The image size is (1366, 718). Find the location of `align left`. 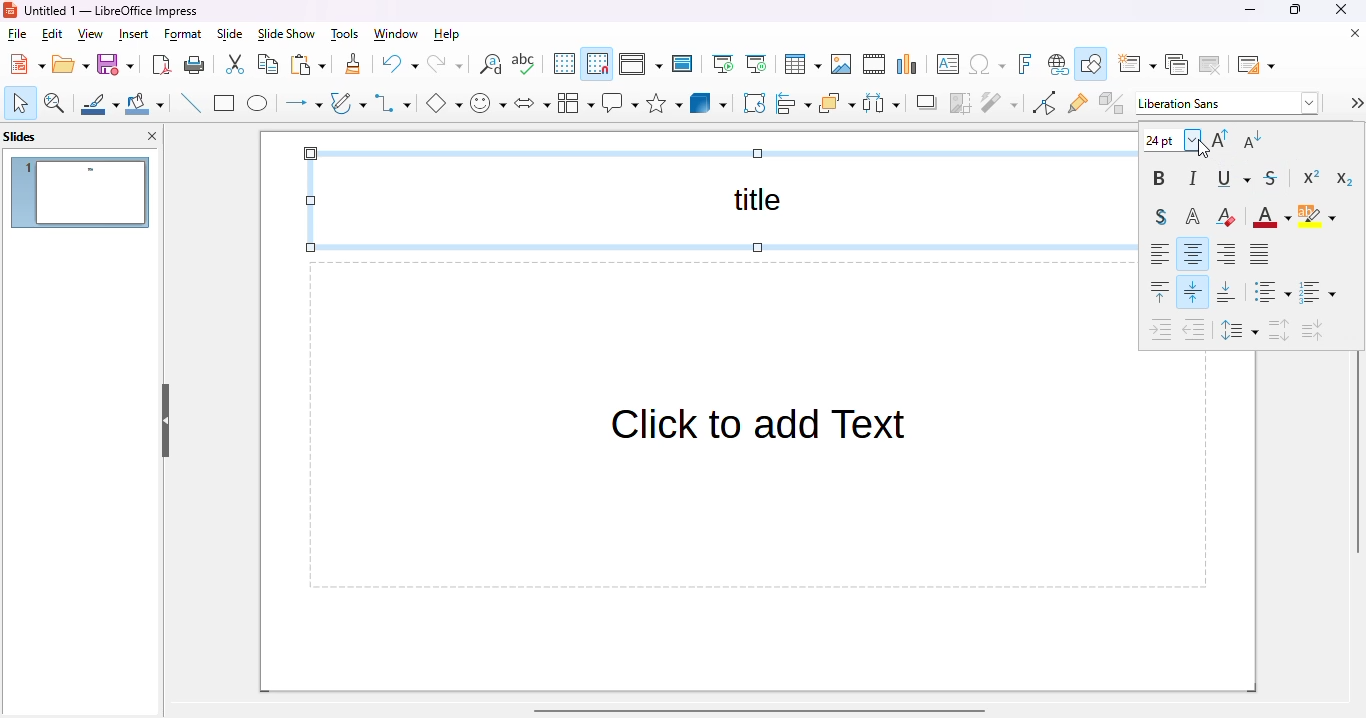

align left is located at coordinates (1160, 255).